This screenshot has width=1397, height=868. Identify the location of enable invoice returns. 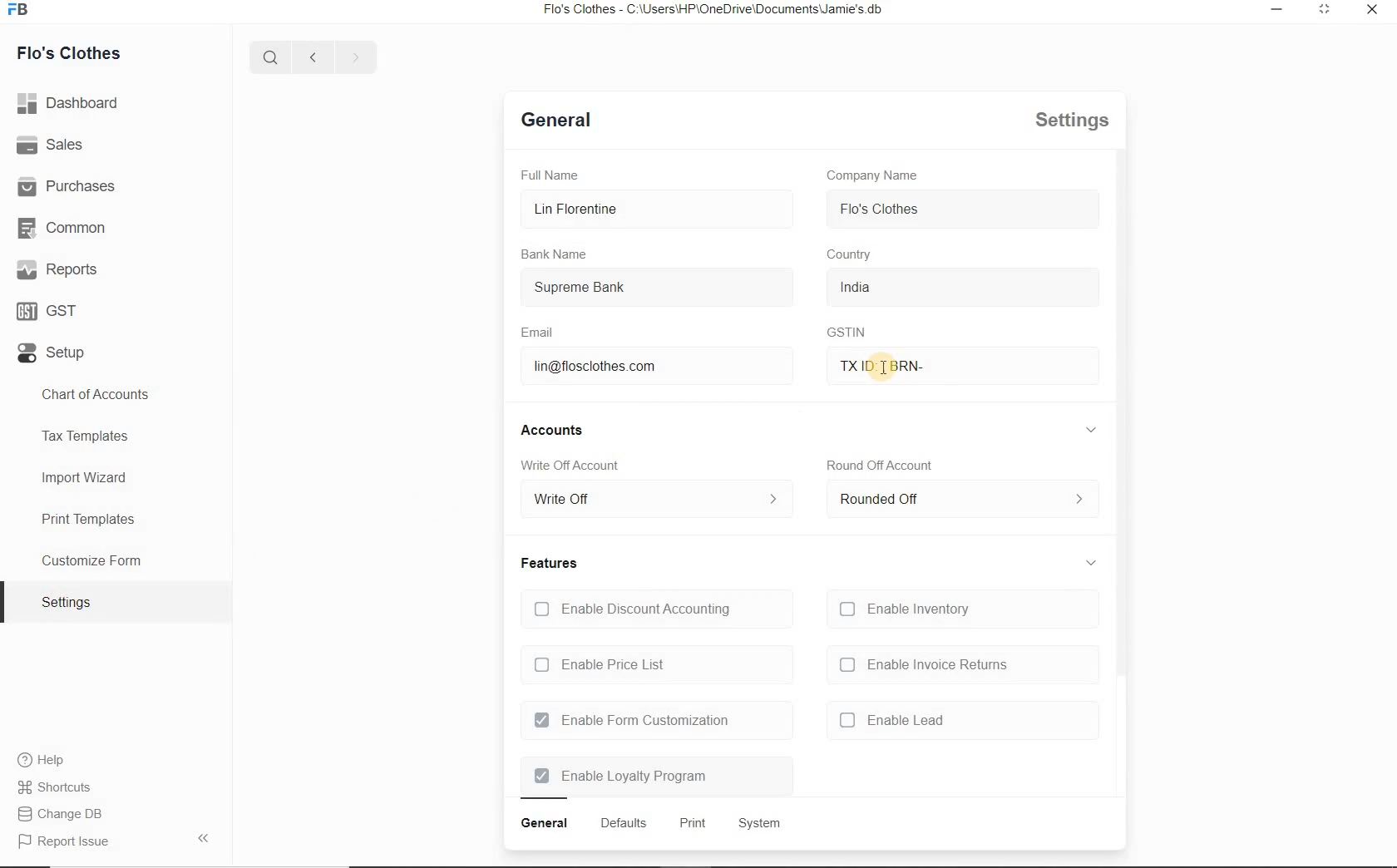
(923, 665).